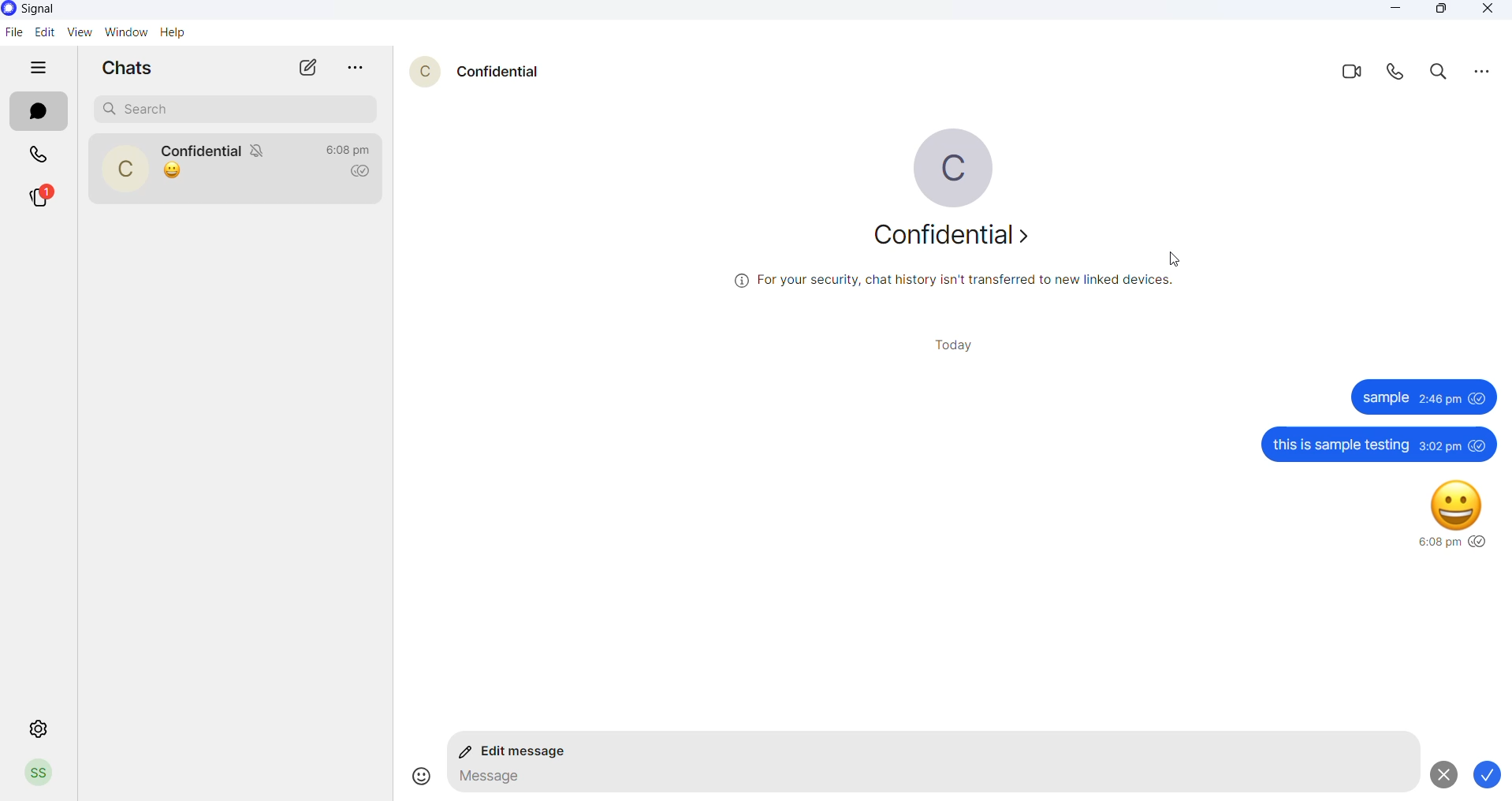  I want to click on this is a sample testing, so click(1339, 445).